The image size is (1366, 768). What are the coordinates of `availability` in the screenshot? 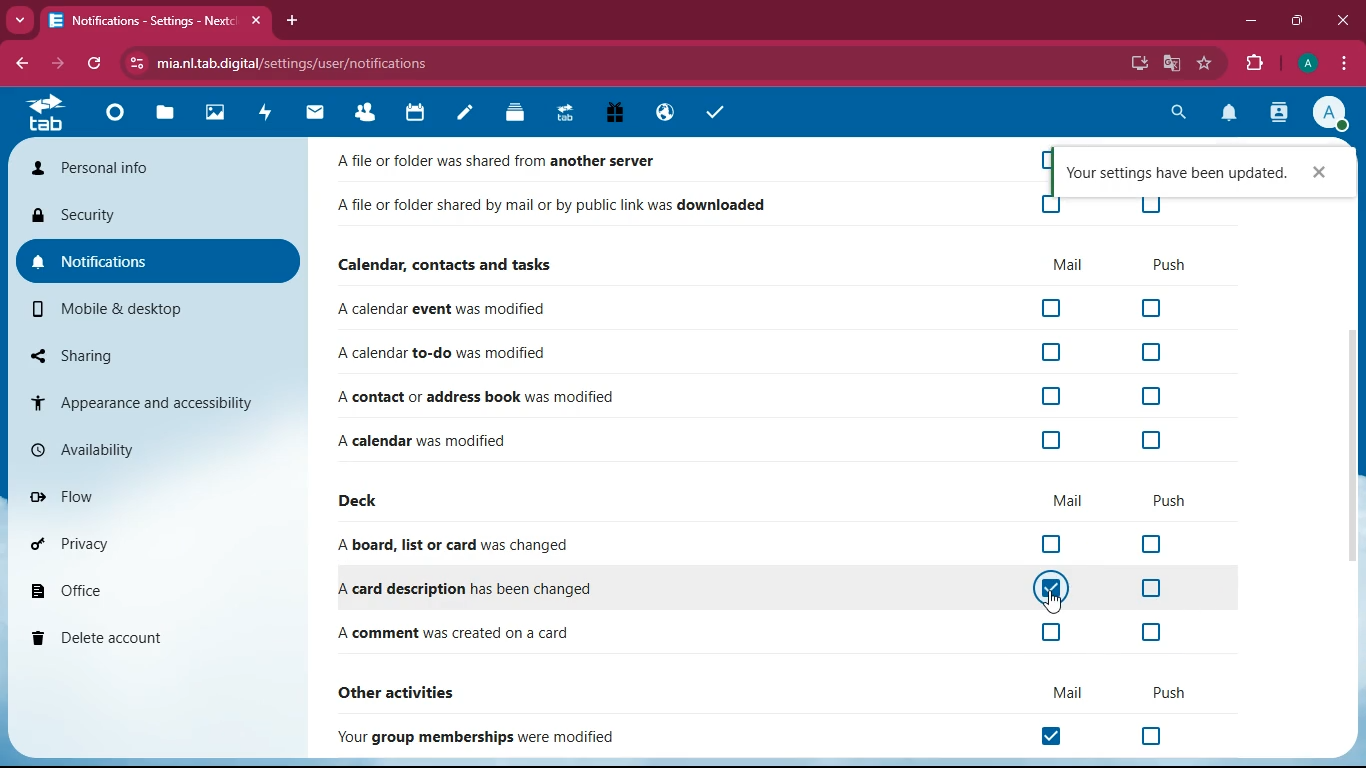 It's located at (155, 449).